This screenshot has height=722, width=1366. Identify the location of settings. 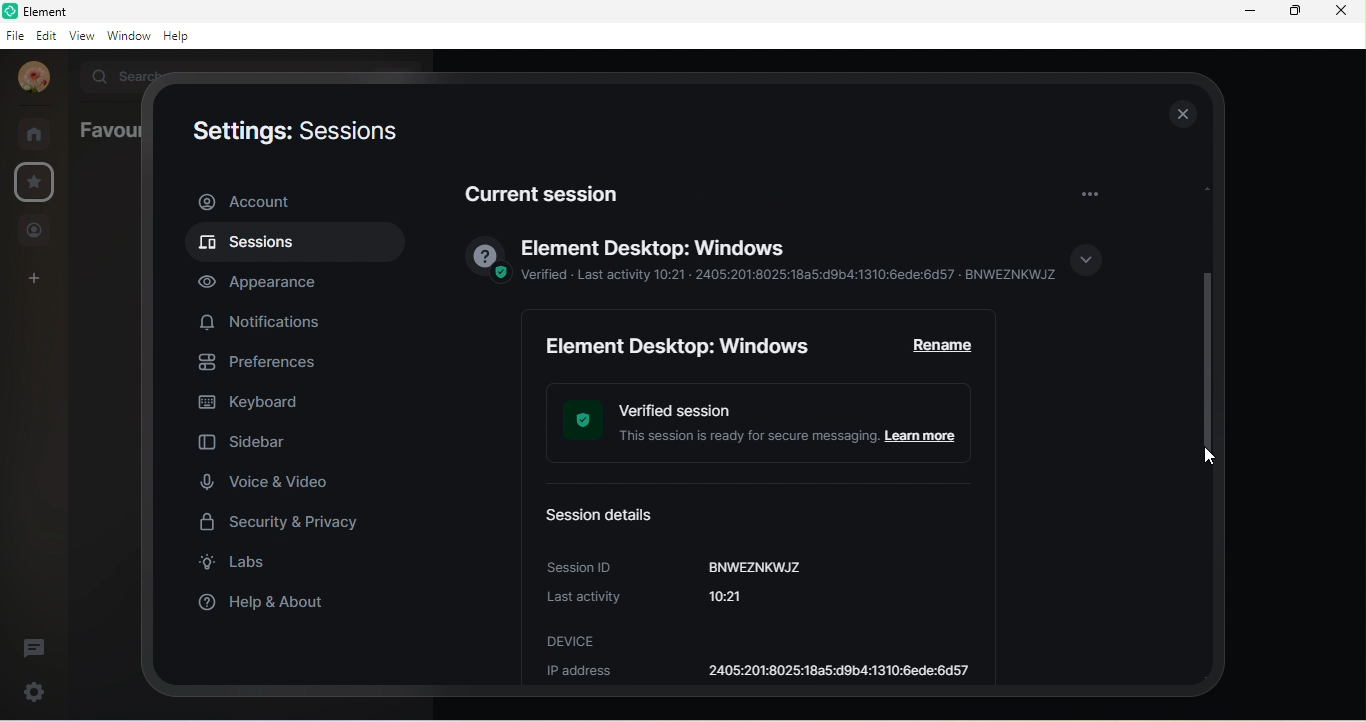
(37, 181).